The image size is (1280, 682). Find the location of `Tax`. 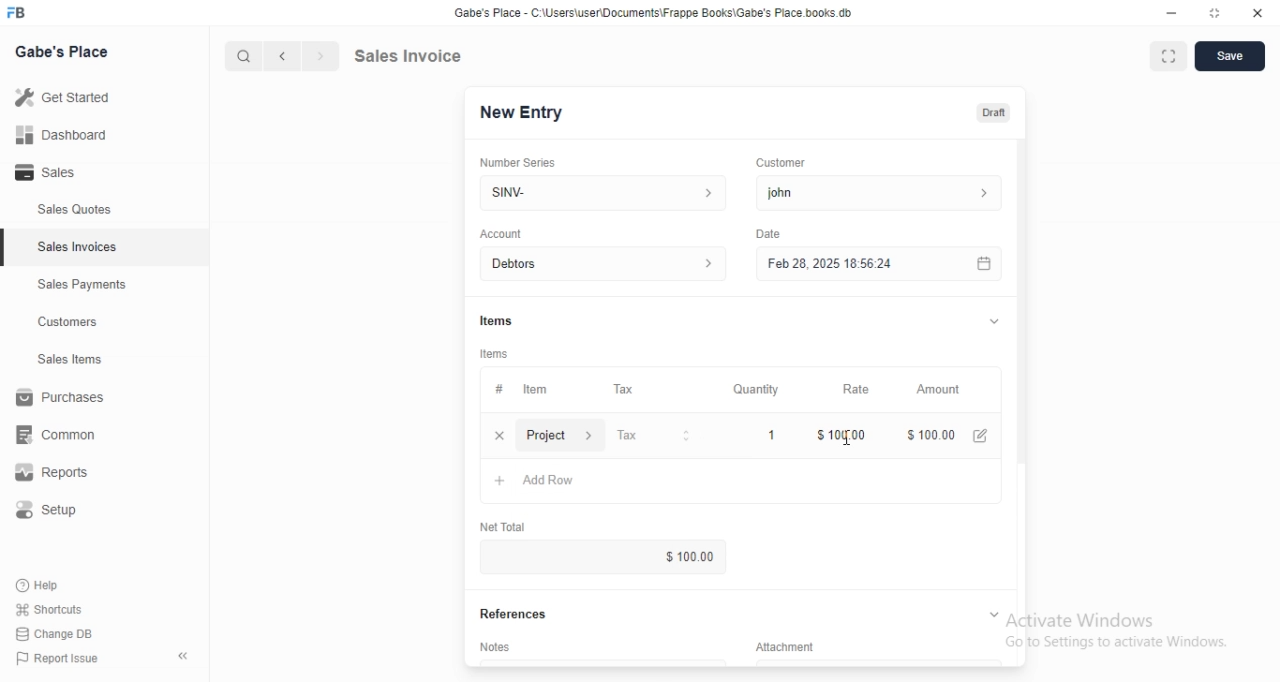

Tax is located at coordinates (628, 390).